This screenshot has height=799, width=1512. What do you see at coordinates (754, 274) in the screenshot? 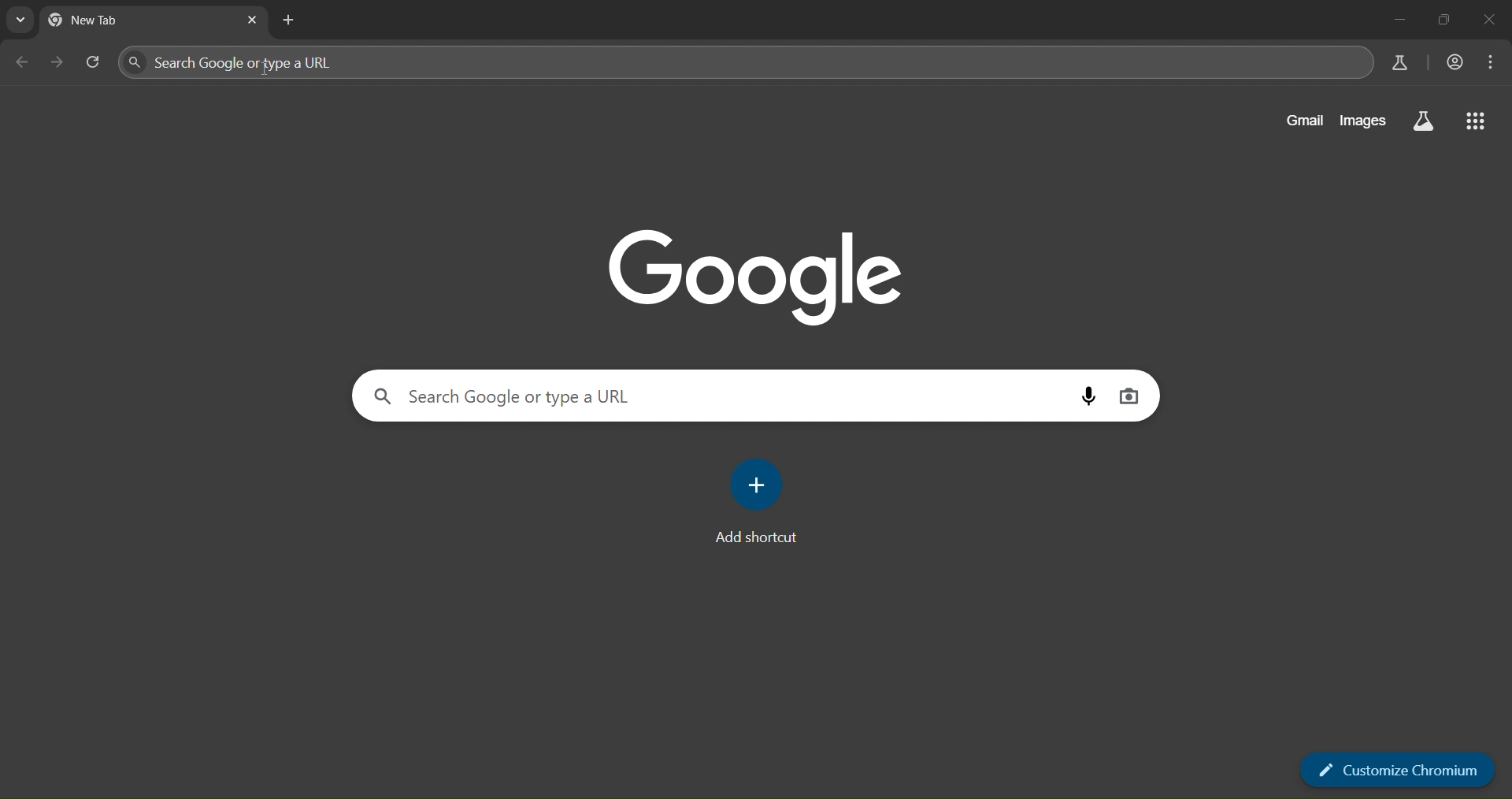
I see `google` at bounding box center [754, 274].